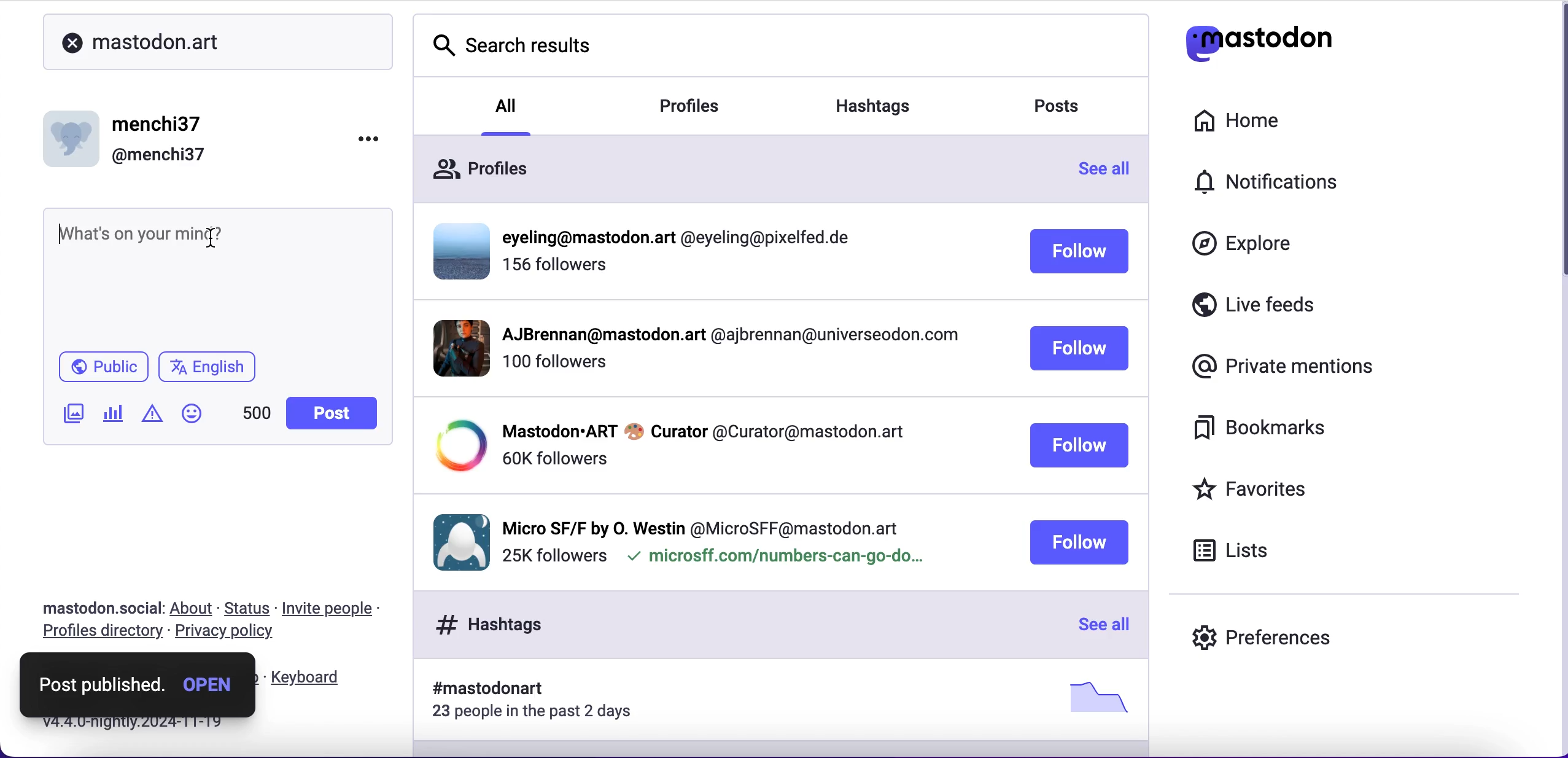 The height and width of the screenshot is (758, 1568). Describe the element at coordinates (1273, 180) in the screenshot. I see `notifications` at that location.